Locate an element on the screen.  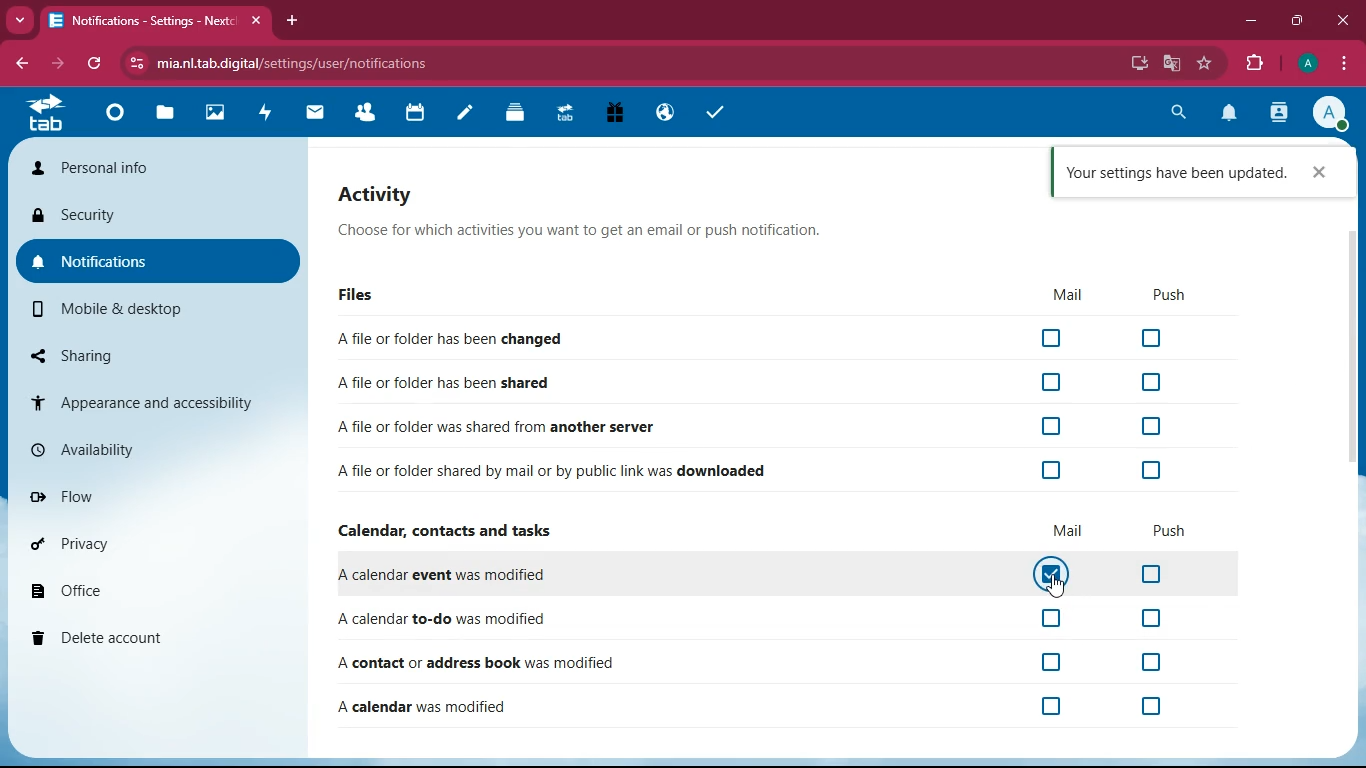
Your setting has been updated is located at coordinates (1174, 173).